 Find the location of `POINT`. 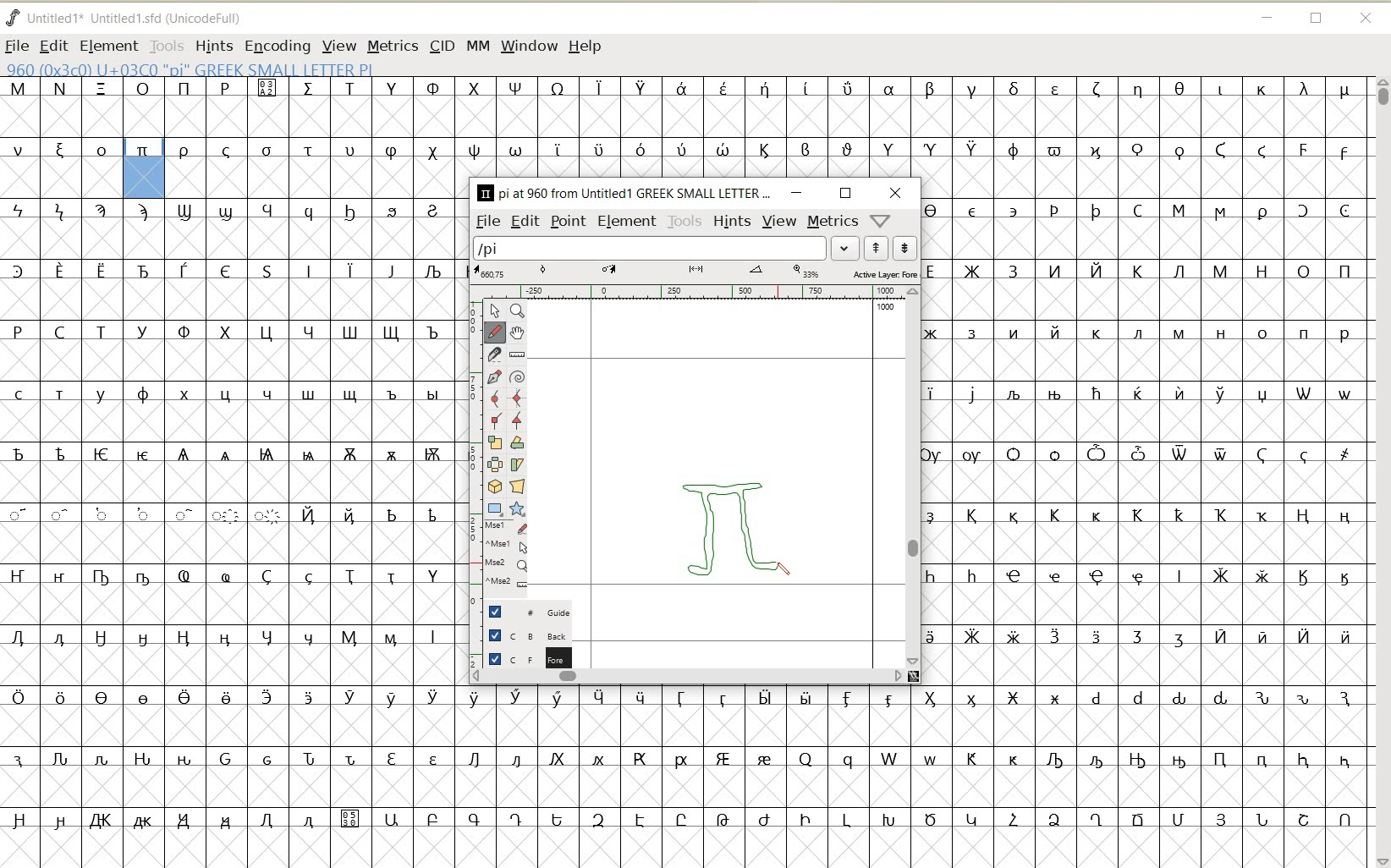

POINT is located at coordinates (568, 222).